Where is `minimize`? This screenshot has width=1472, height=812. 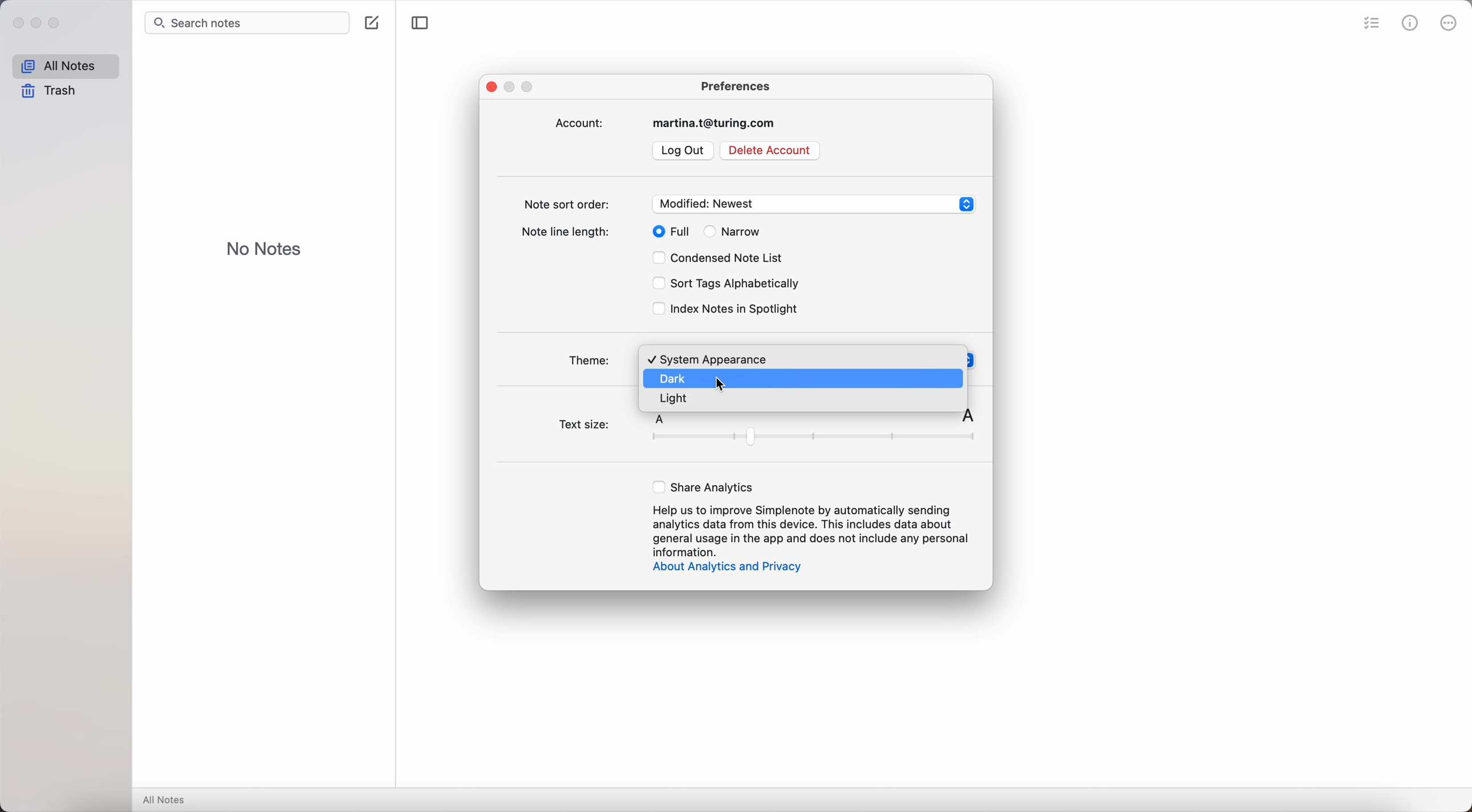
minimize is located at coordinates (39, 24).